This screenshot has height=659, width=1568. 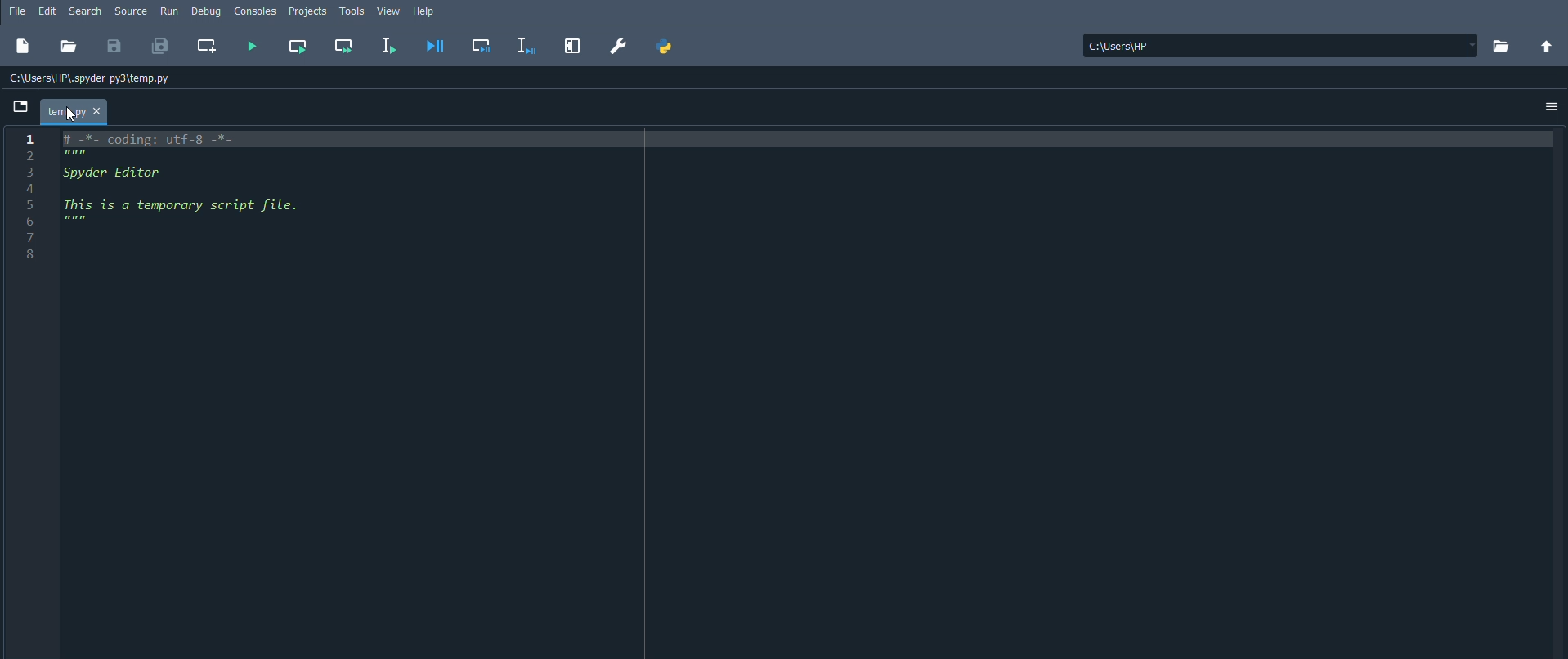 What do you see at coordinates (573, 46) in the screenshot?
I see `Maximize current pane` at bounding box center [573, 46].